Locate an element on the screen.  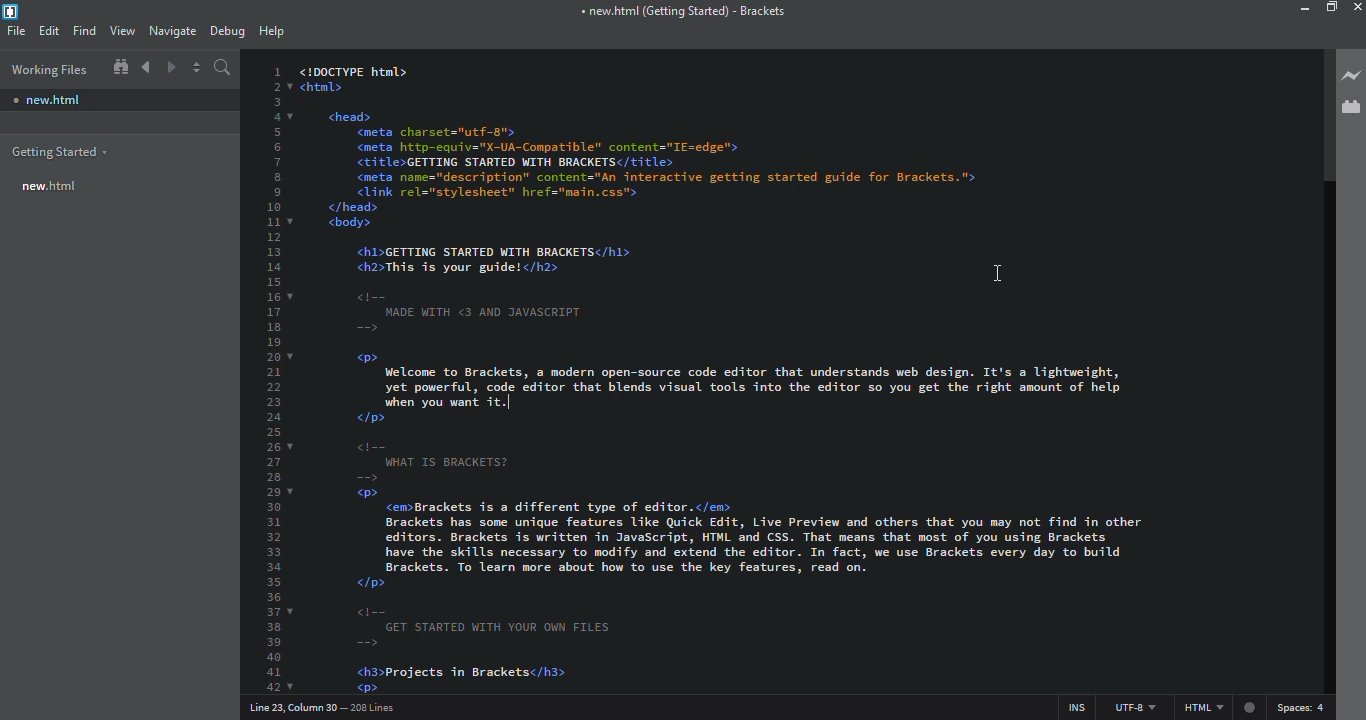
minimize is located at coordinates (1298, 9).